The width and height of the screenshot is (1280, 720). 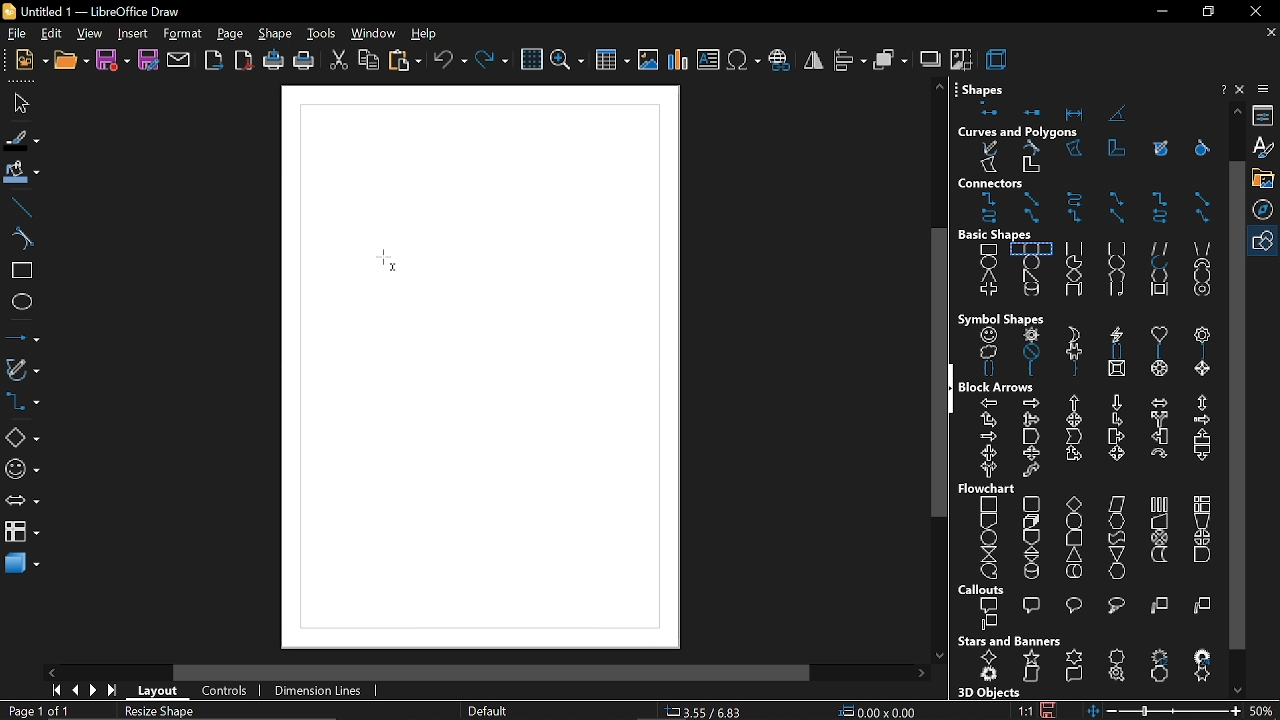 What do you see at coordinates (1266, 116) in the screenshot?
I see `properties` at bounding box center [1266, 116].